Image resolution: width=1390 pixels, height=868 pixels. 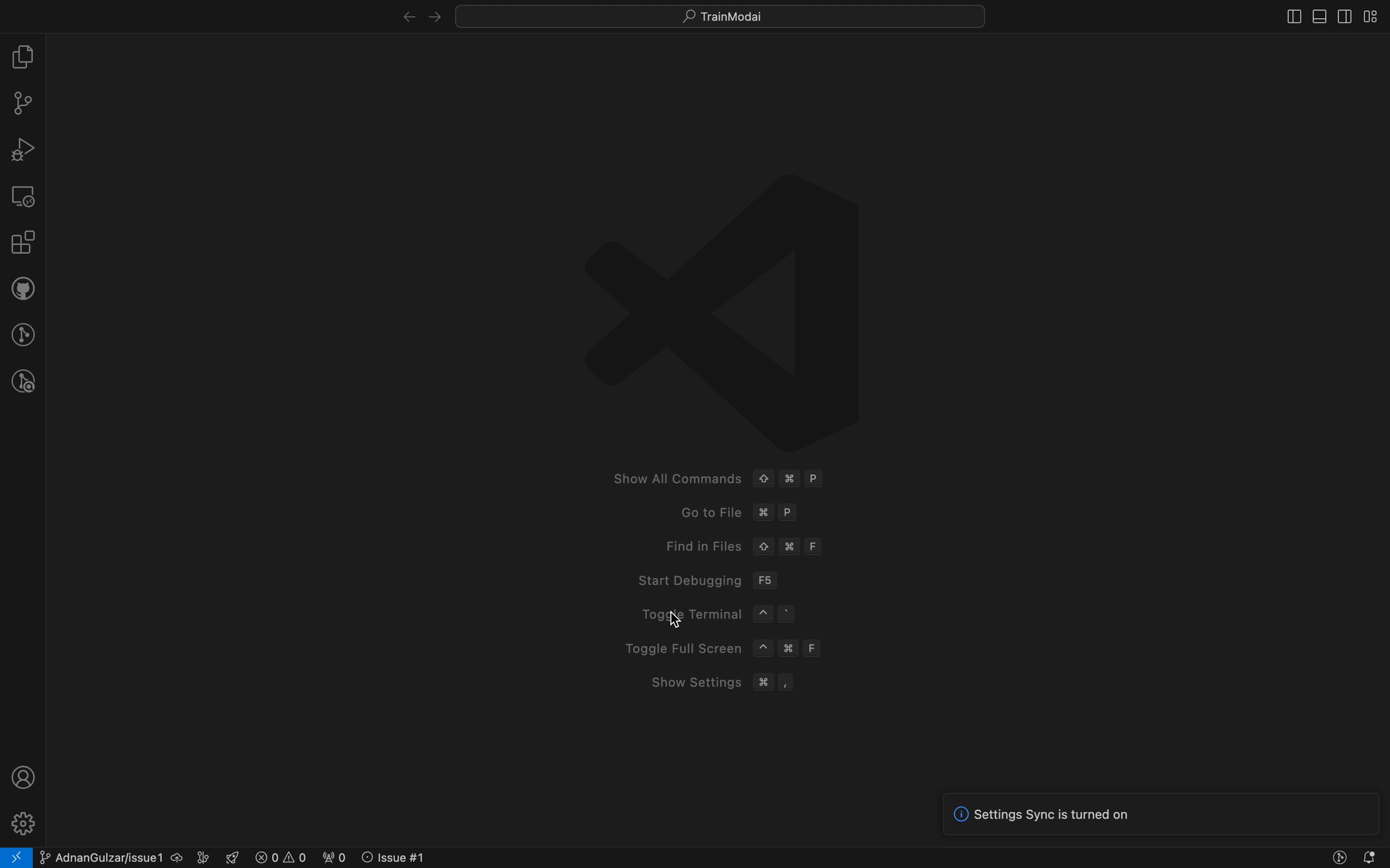 I want to click on profile, so click(x=25, y=776).